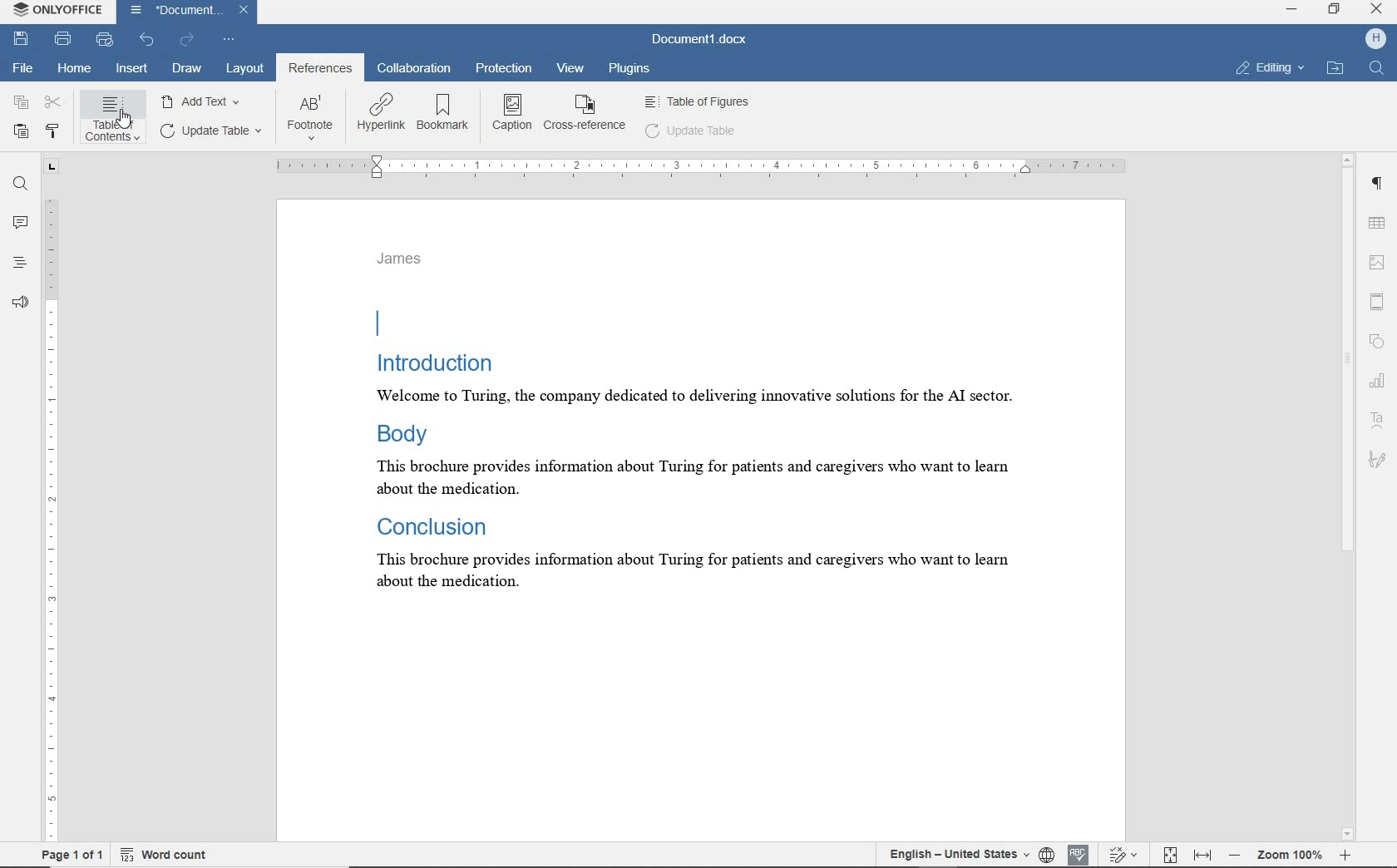  I want to click on update table, so click(694, 132).